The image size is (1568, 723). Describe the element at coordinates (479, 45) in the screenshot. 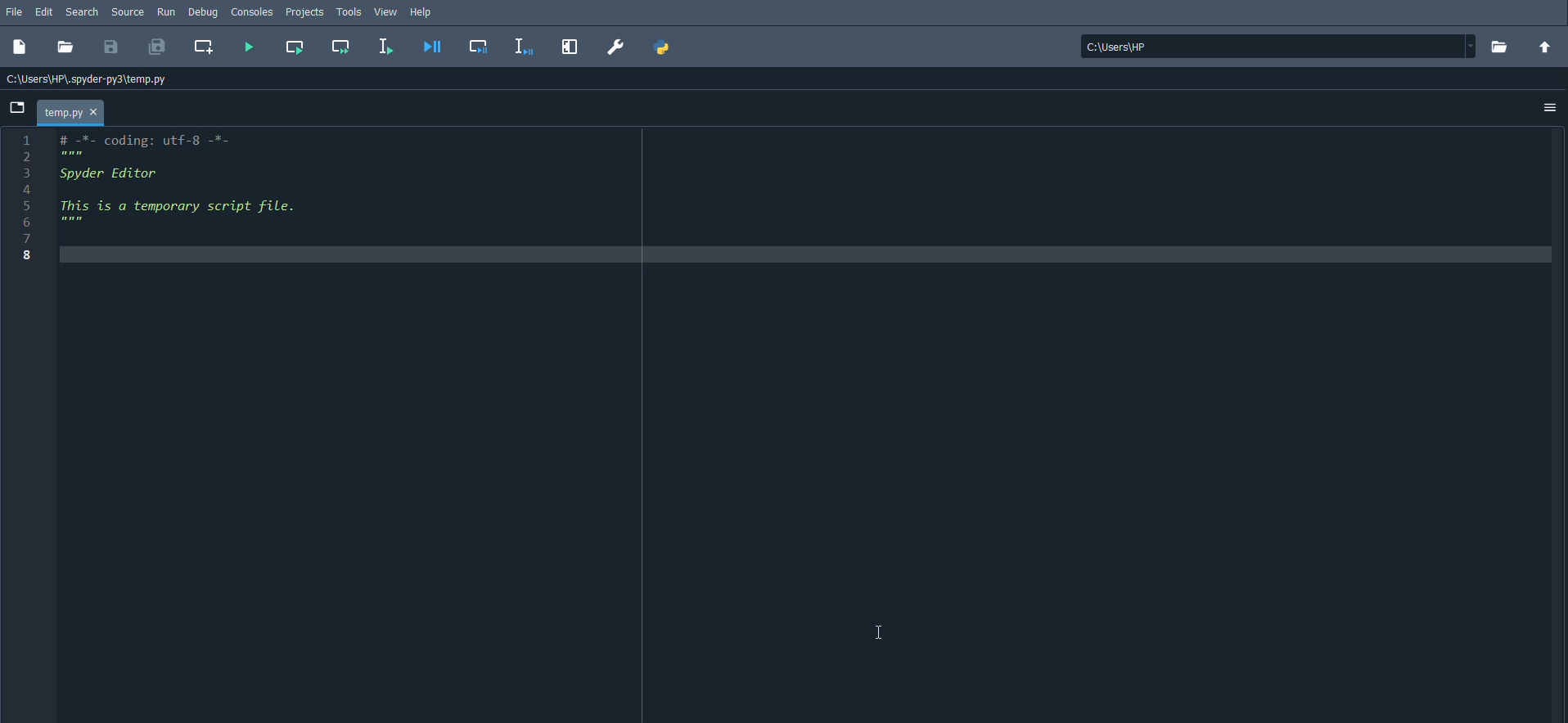

I see `Debug cell` at that location.